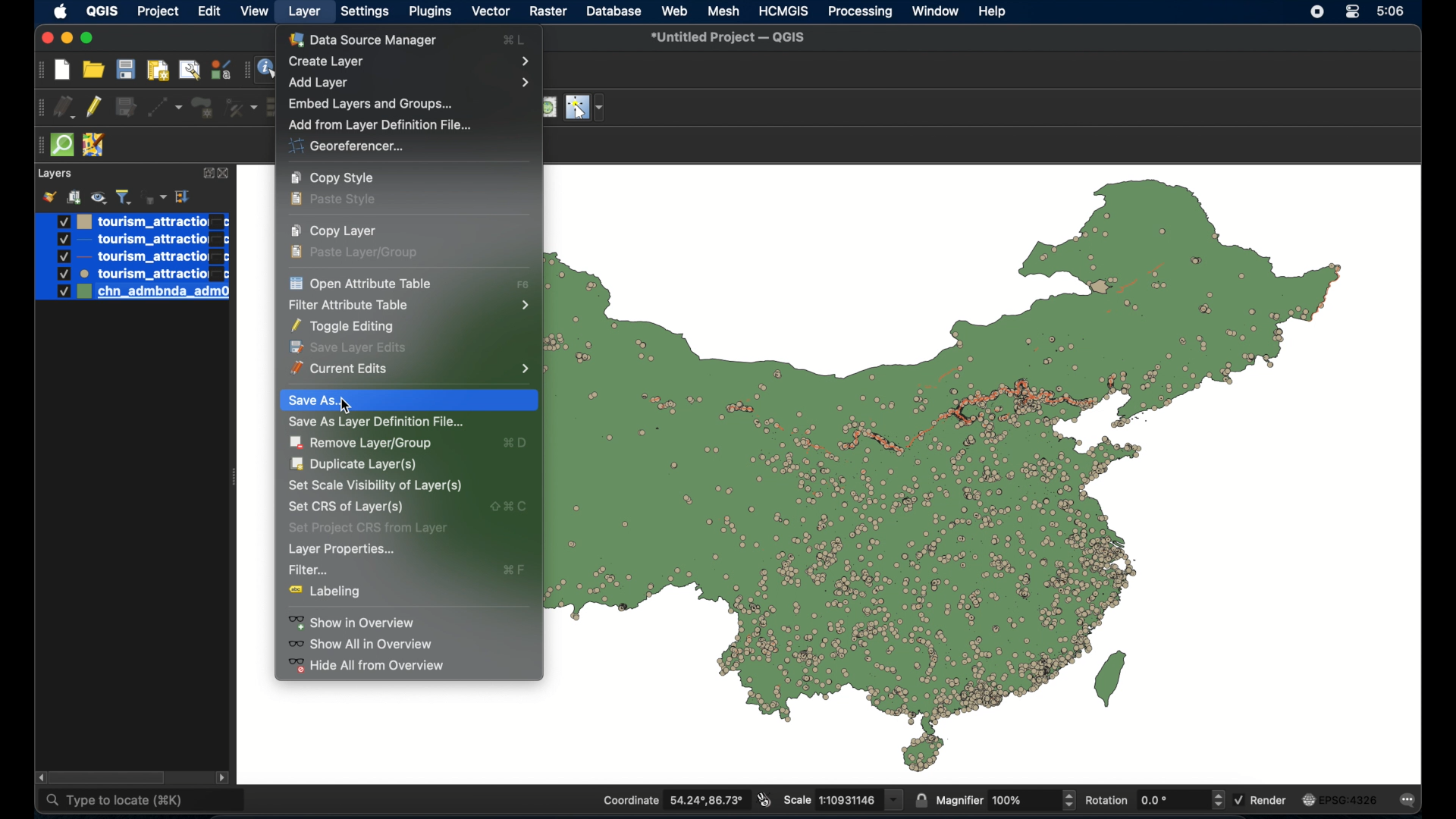 The height and width of the screenshot is (819, 1456). What do you see at coordinates (154, 195) in the screenshot?
I see `filter legend by expression` at bounding box center [154, 195].